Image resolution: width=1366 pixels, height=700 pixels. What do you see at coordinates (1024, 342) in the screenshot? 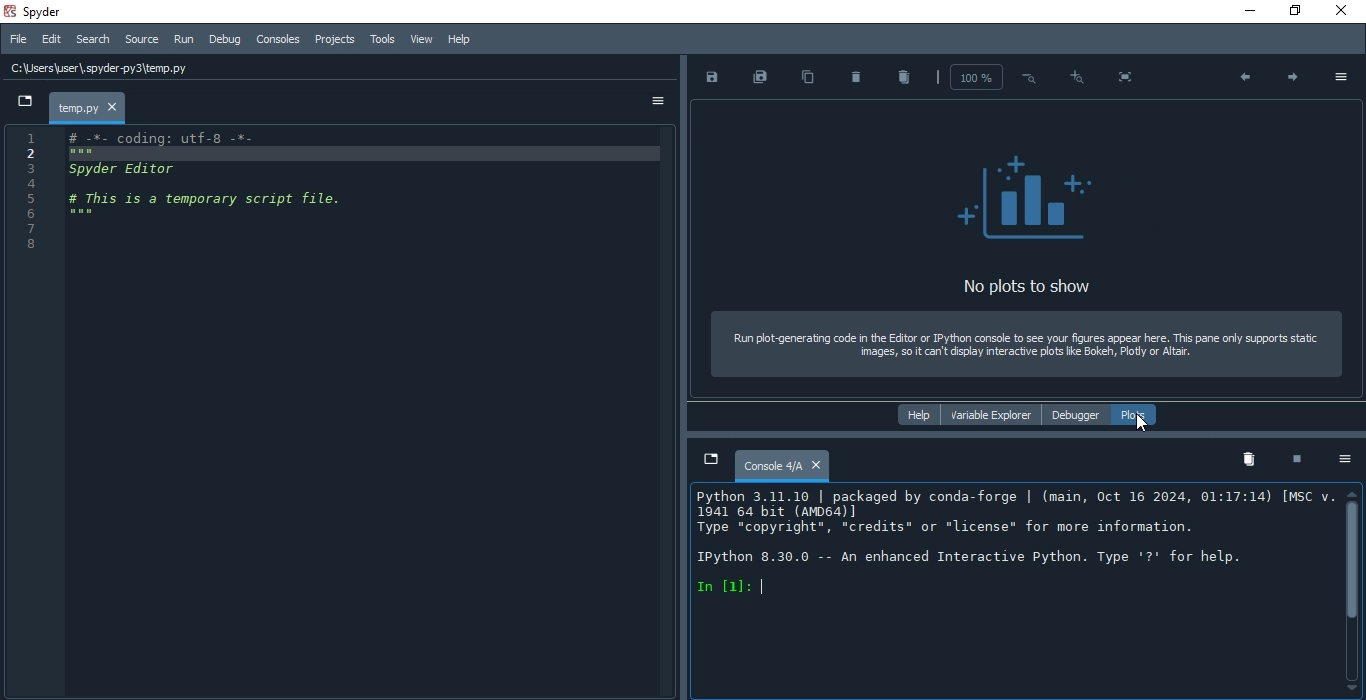
I see `Run plot generating code in the Editor or Python console to see your figures appear here. This pane only supports static
images, soit can't display interactive plots lie Bokeh, Plotly or Altai,` at bounding box center [1024, 342].